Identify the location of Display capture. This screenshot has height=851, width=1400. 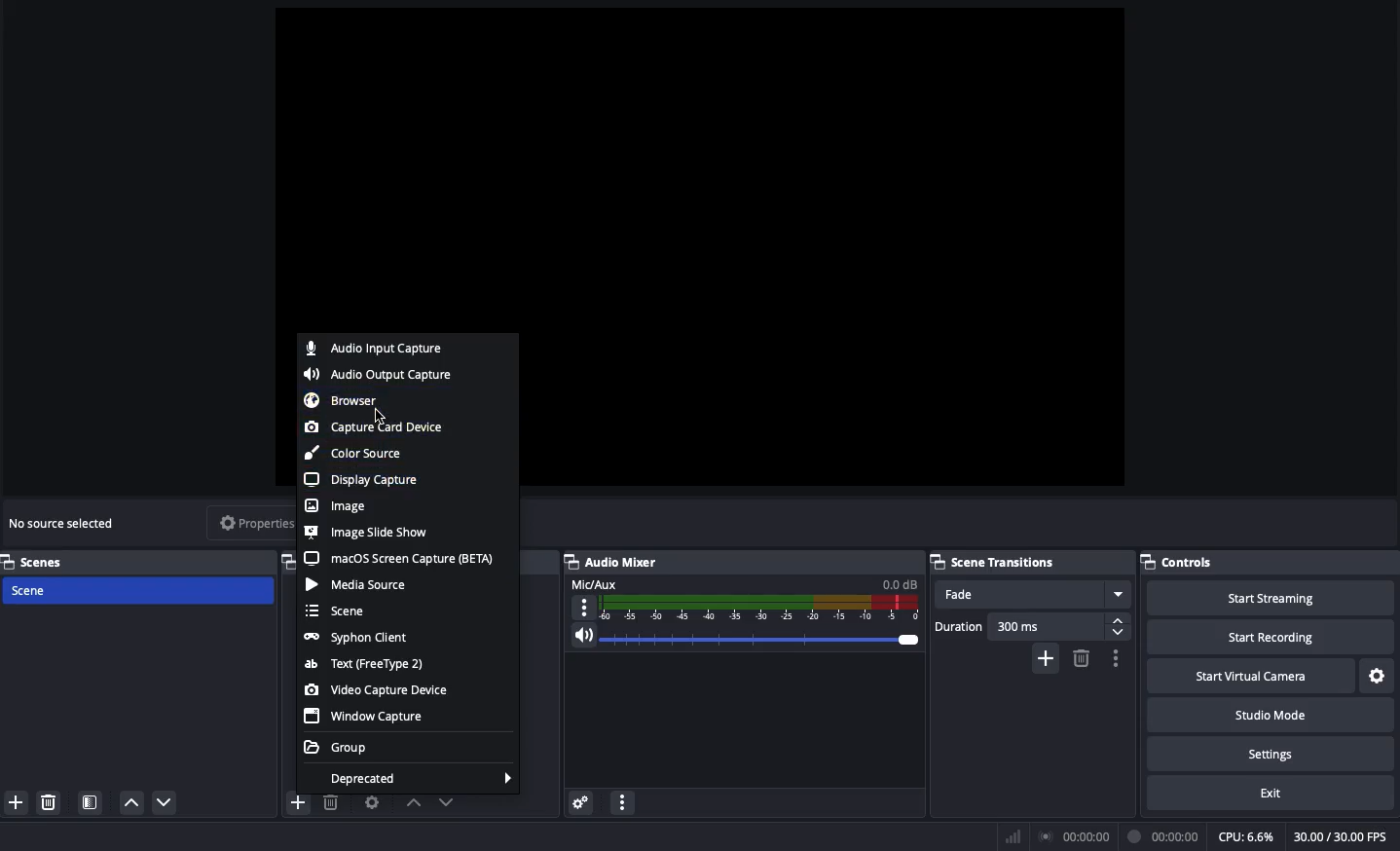
(365, 480).